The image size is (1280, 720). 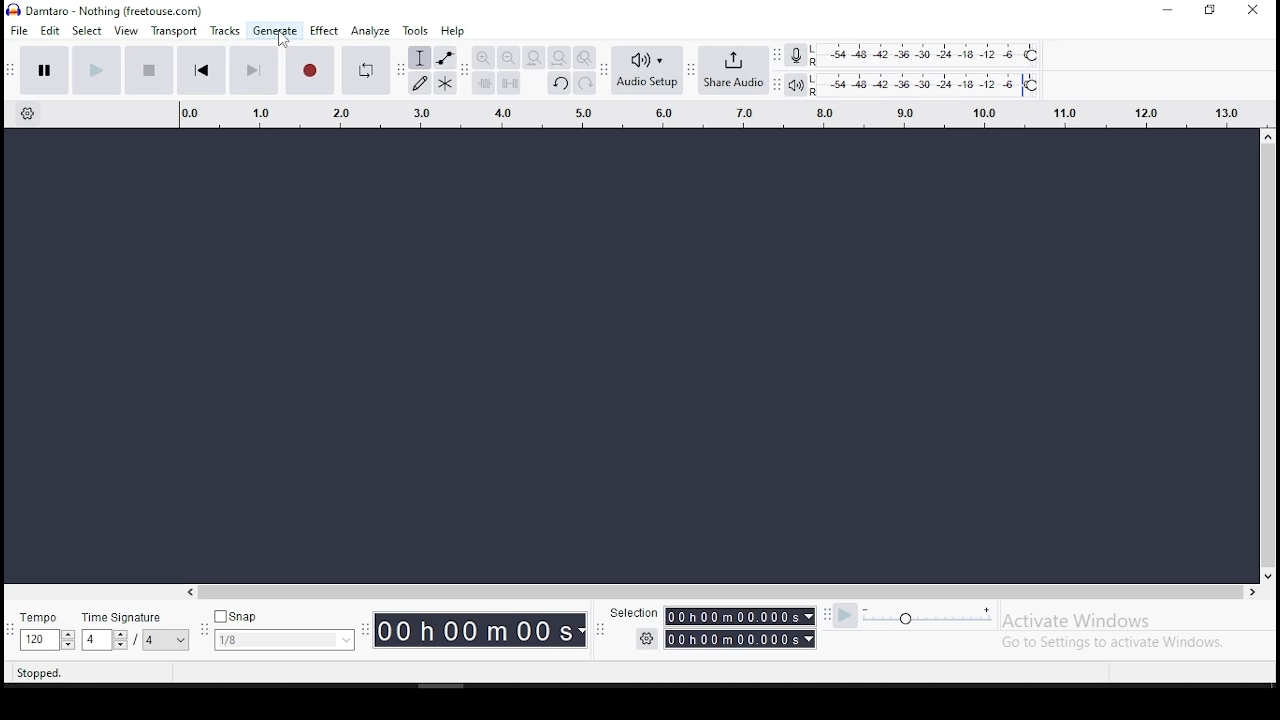 What do you see at coordinates (273, 31) in the screenshot?
I see `generate` at bounding box center [273, 31].